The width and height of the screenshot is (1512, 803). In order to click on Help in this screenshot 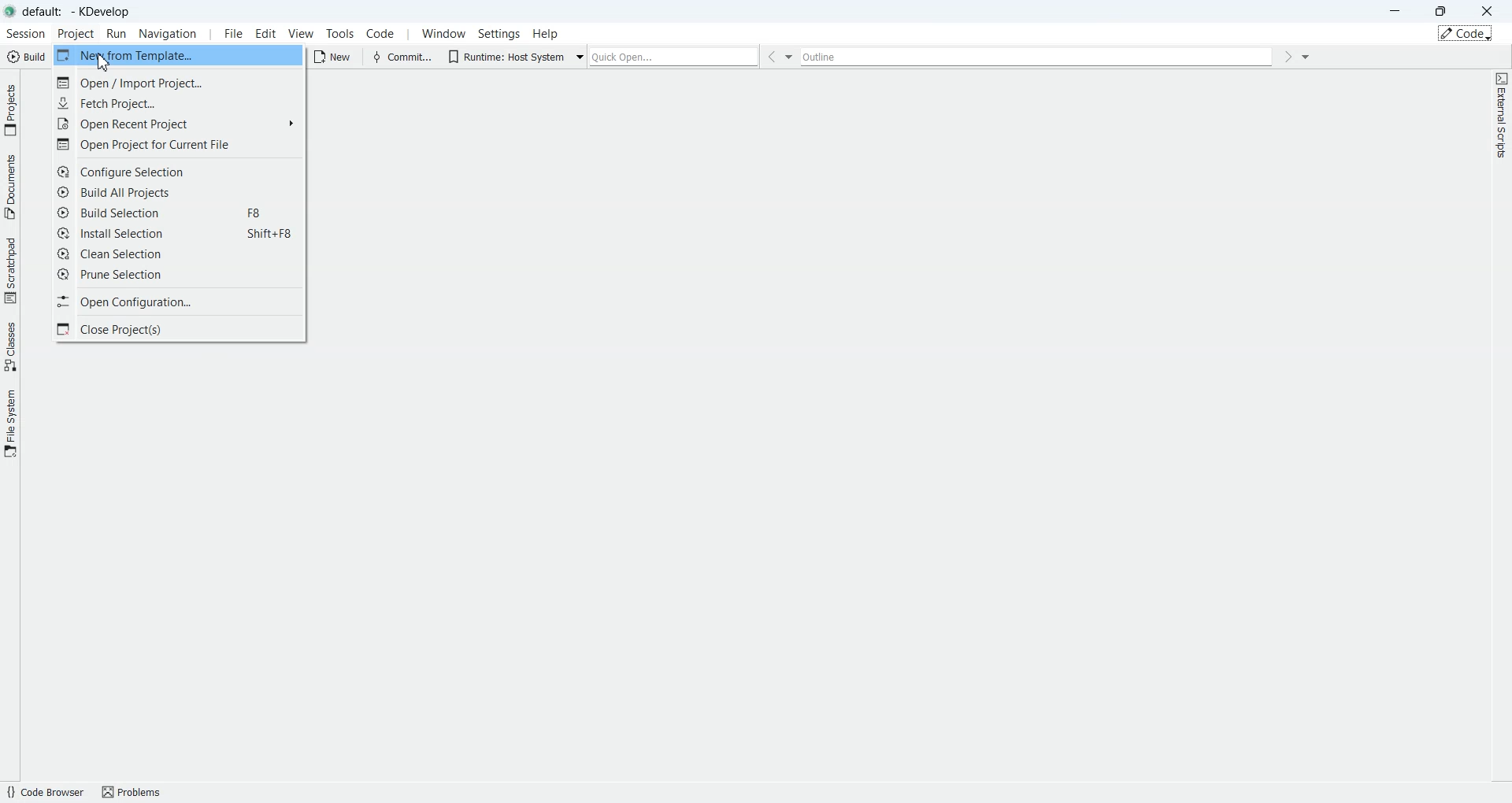, I will do `click(546, 33)`.